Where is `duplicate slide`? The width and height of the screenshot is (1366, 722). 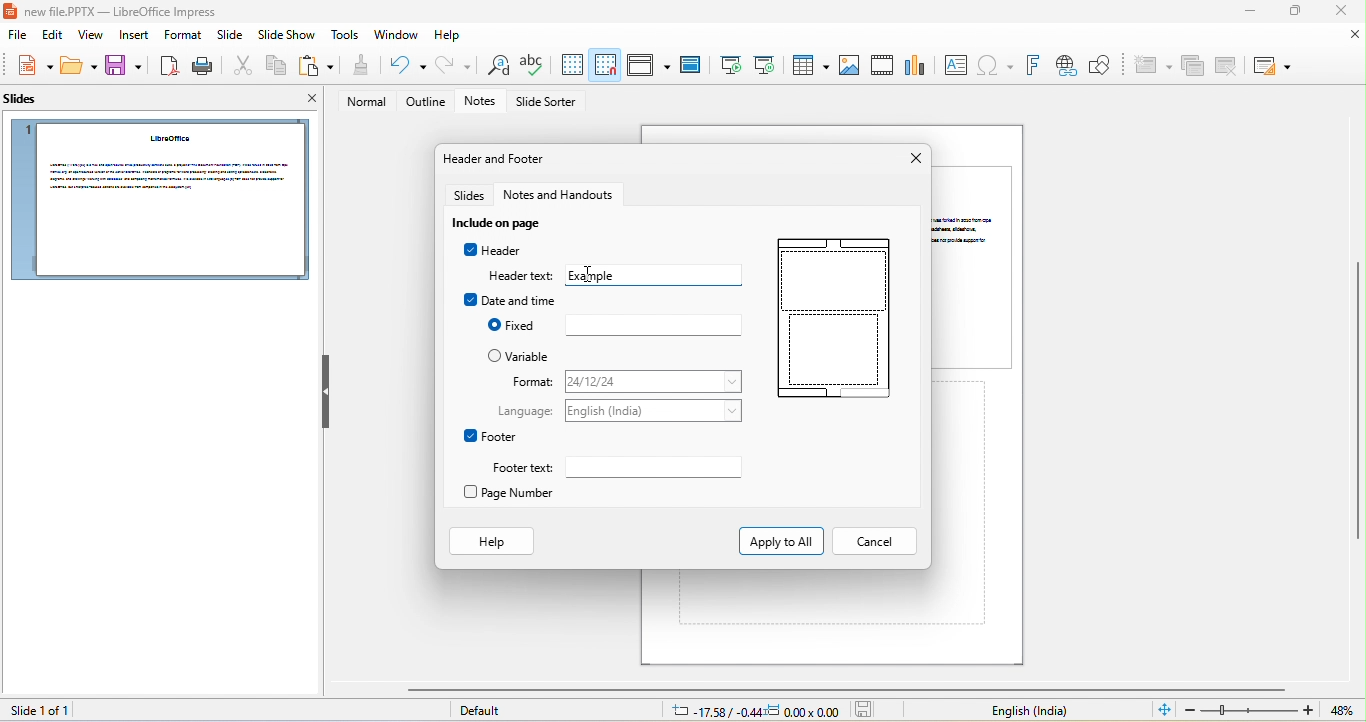 duplicate slide is located at coordinates (1193, 67).